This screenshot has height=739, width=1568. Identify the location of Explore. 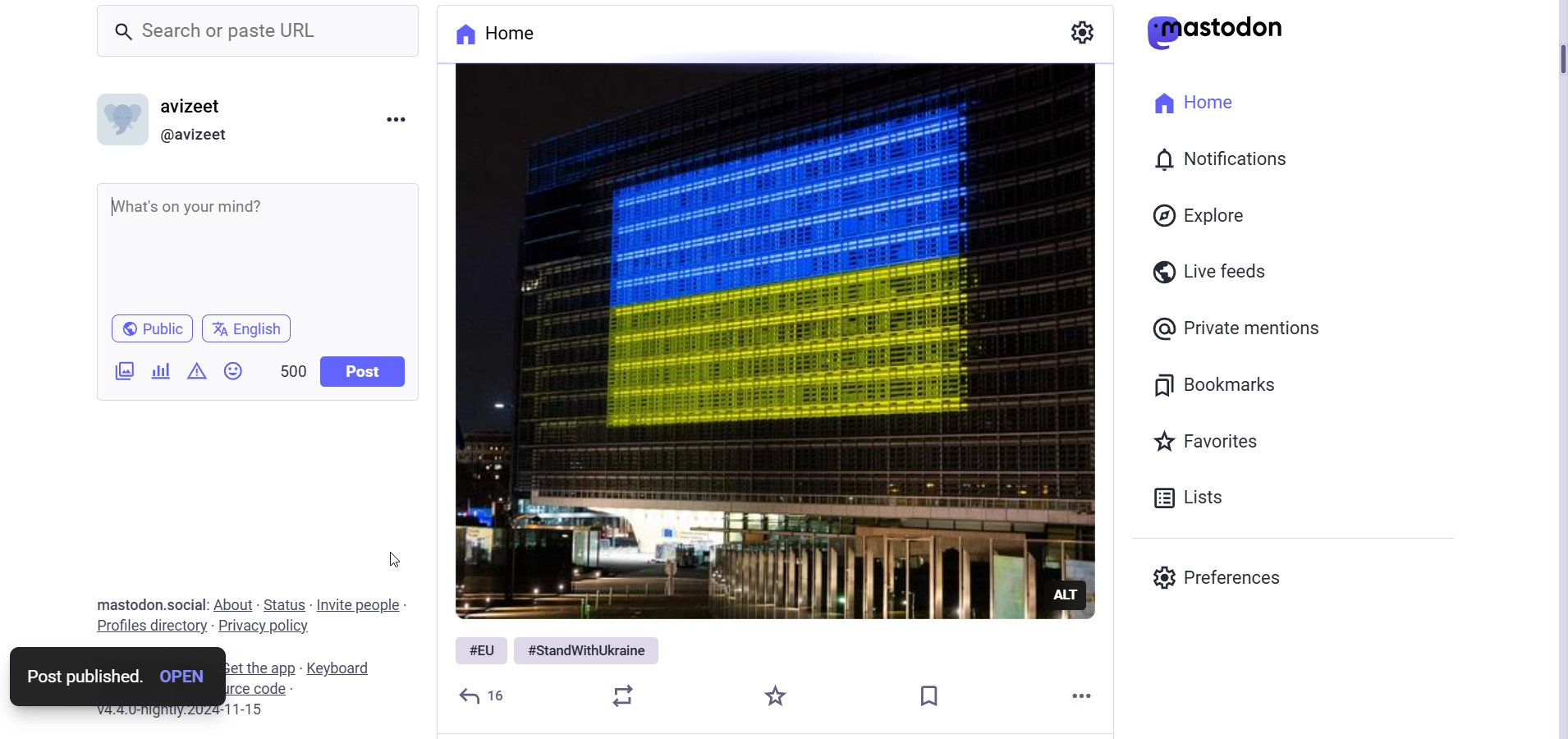
(1202, 215).